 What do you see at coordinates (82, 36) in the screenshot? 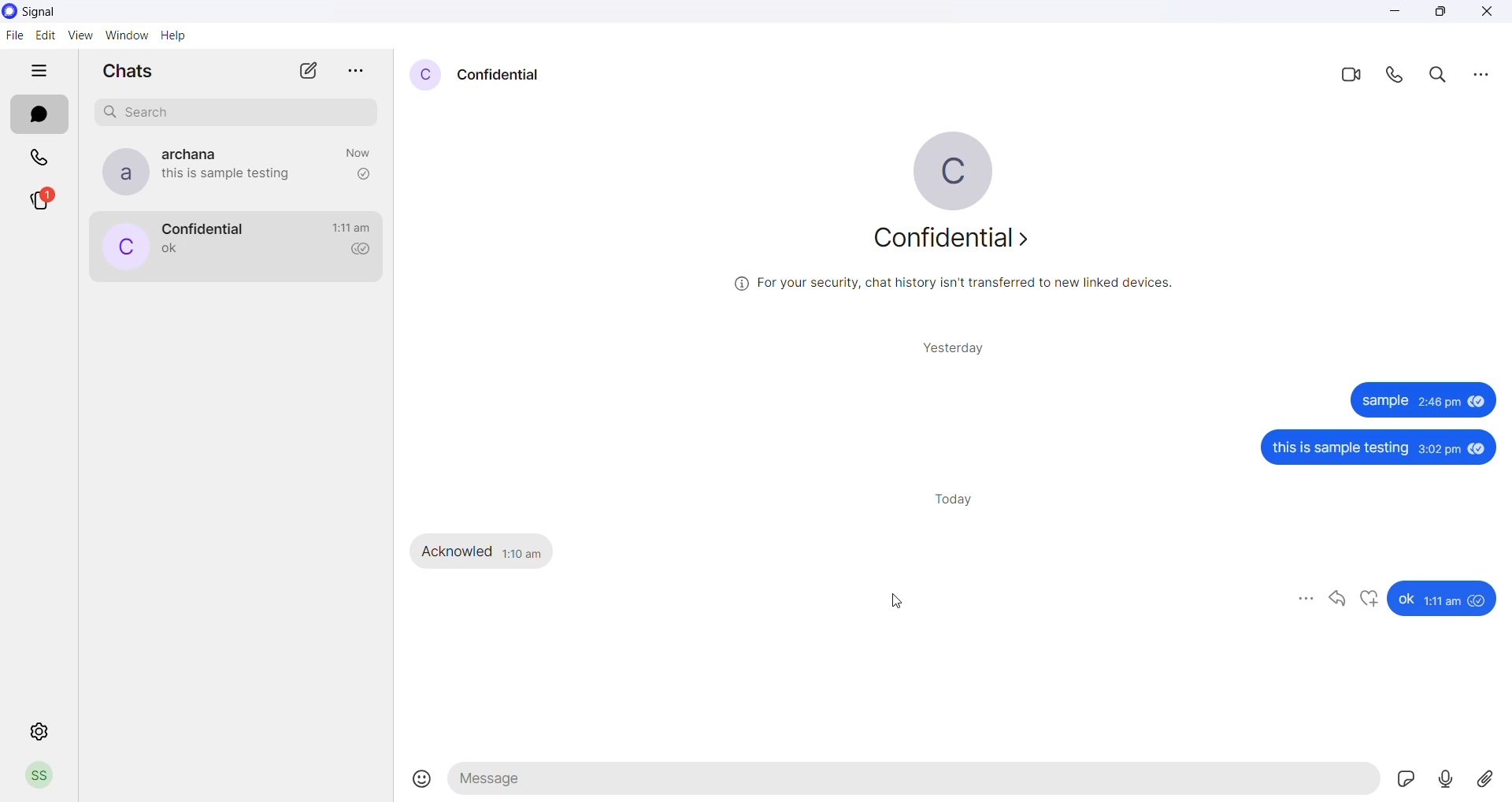
I see `view` at bounding box center [82, 36].